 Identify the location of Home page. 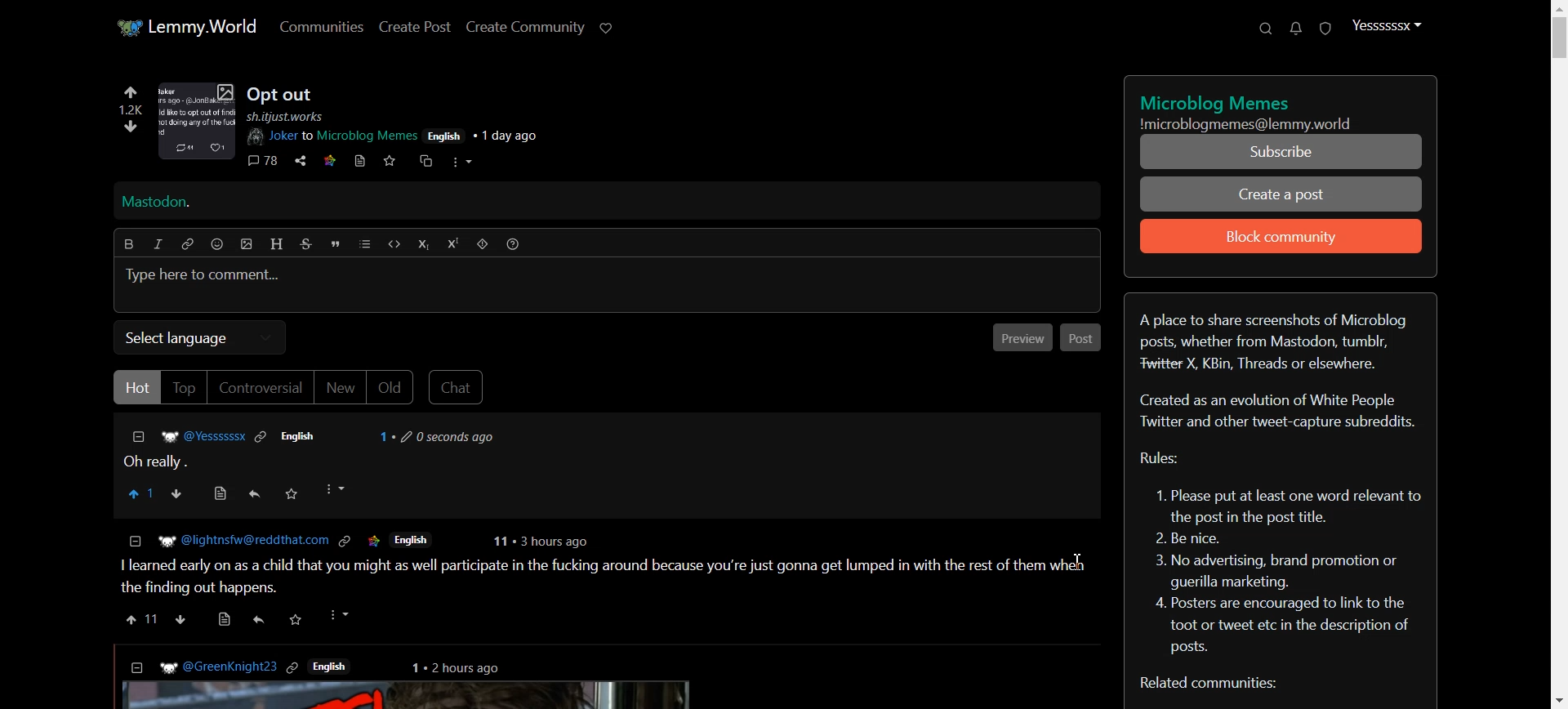
(186, 25).